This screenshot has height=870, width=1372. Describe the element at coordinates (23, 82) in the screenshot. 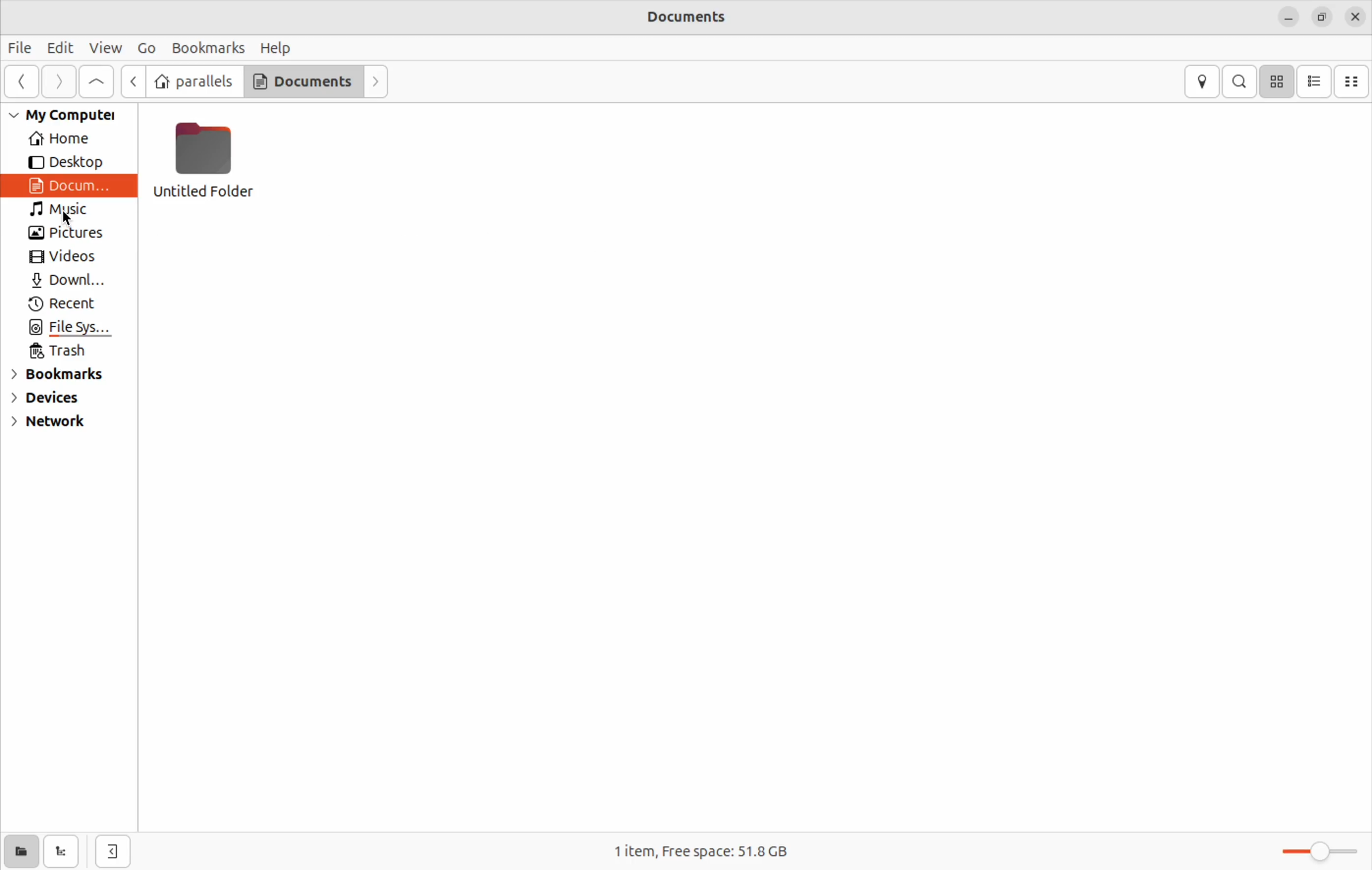

I see `go back` at that location.